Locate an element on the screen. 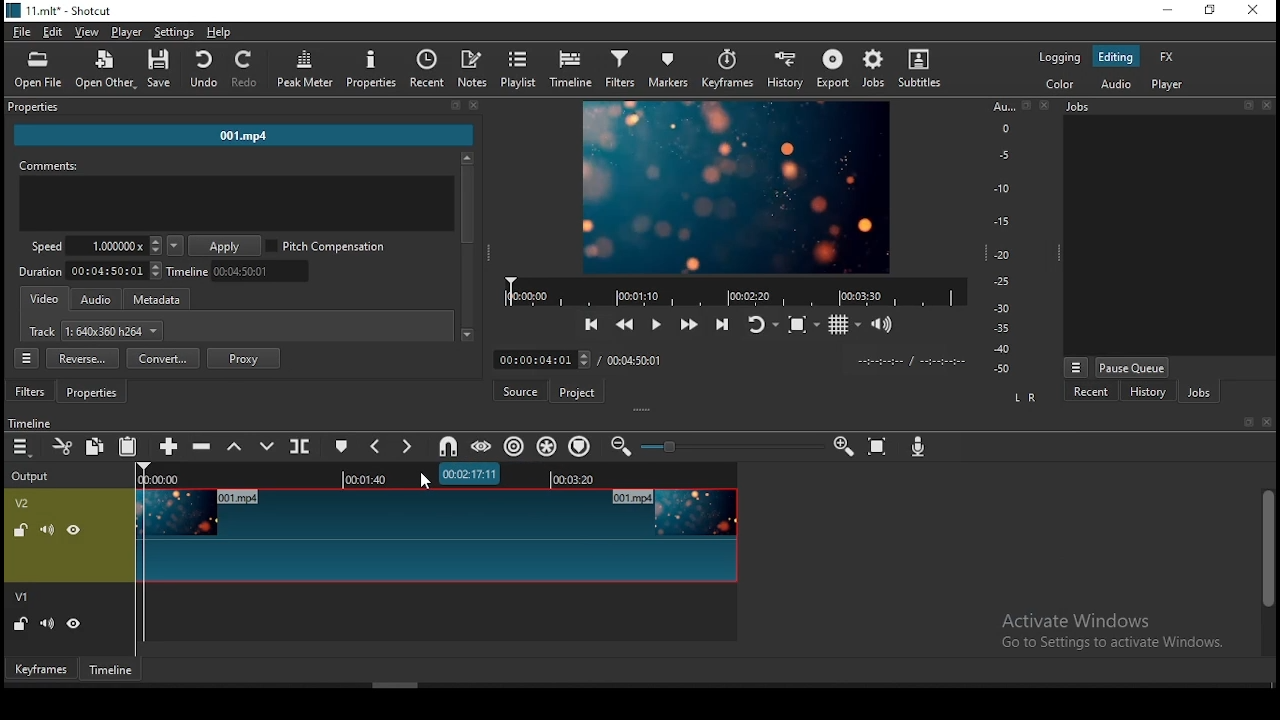 The image size is (1280, 720). filters is located at coordinates (32, 392).